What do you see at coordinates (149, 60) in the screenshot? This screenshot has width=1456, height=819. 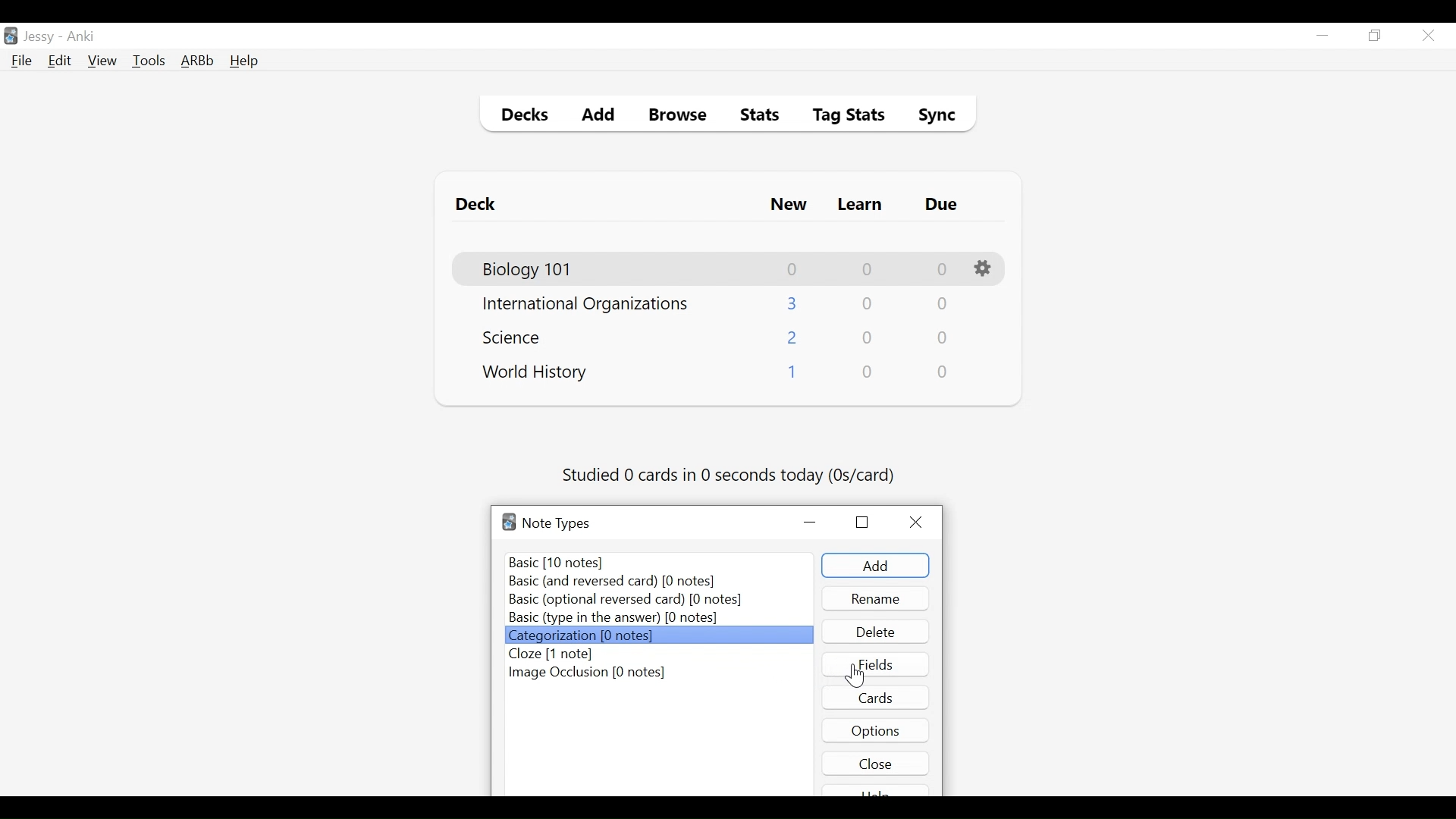 I see `Tools` at bounding box center [149, 60].